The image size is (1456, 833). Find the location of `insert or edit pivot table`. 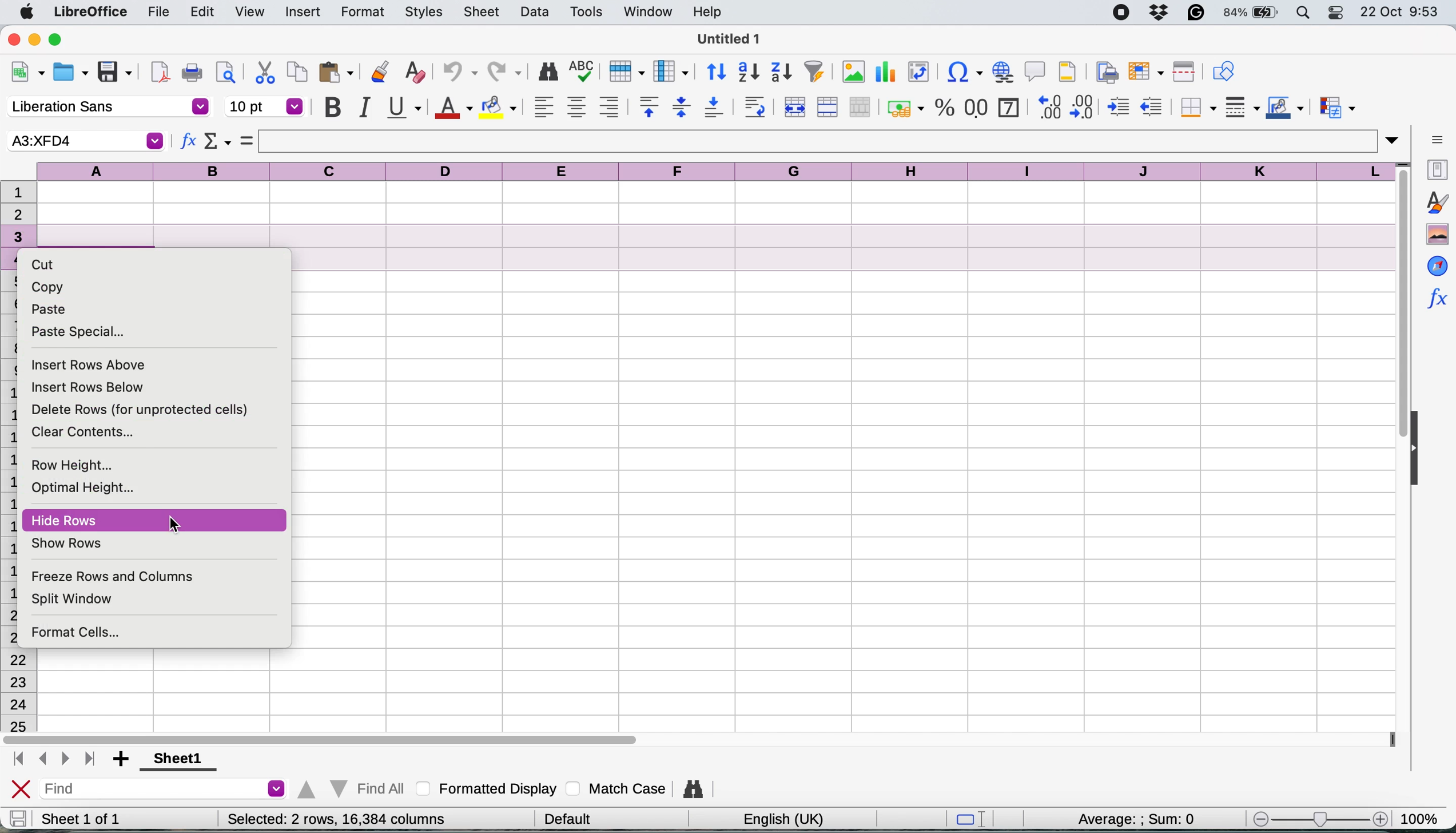

insert or edit pivot table is located at coordinates (915, 72).